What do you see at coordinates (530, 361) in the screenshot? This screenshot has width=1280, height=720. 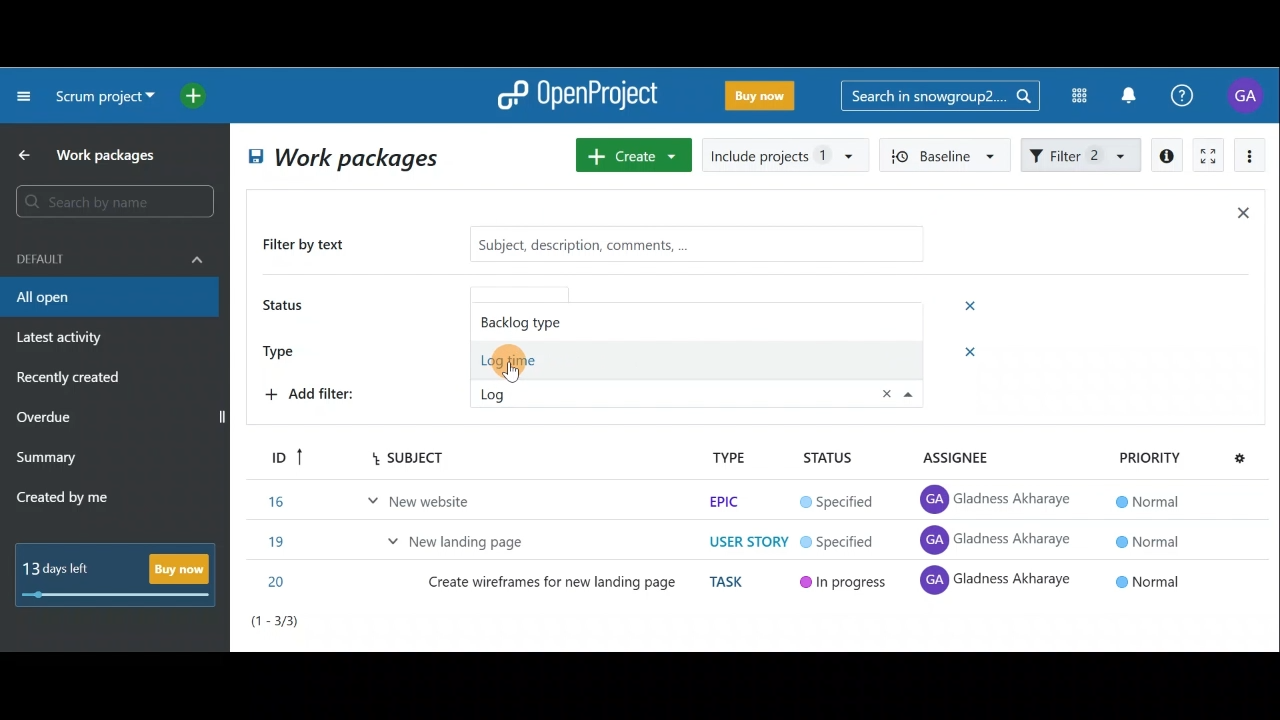 I see `Log time` at bounding box center [530, 361].